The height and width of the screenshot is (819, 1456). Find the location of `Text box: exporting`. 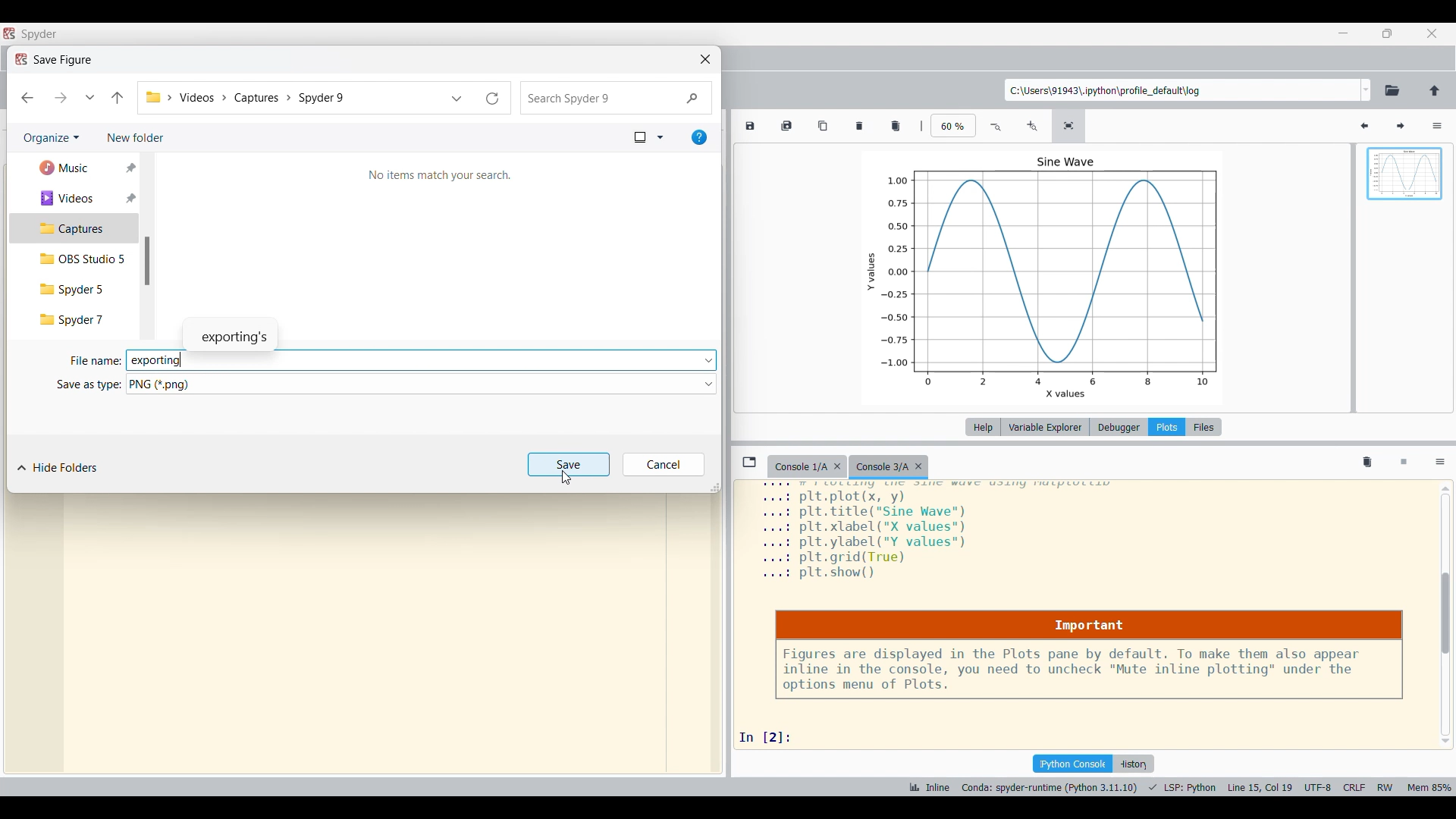

Text box: exporting is located at coordinates (413, 361).